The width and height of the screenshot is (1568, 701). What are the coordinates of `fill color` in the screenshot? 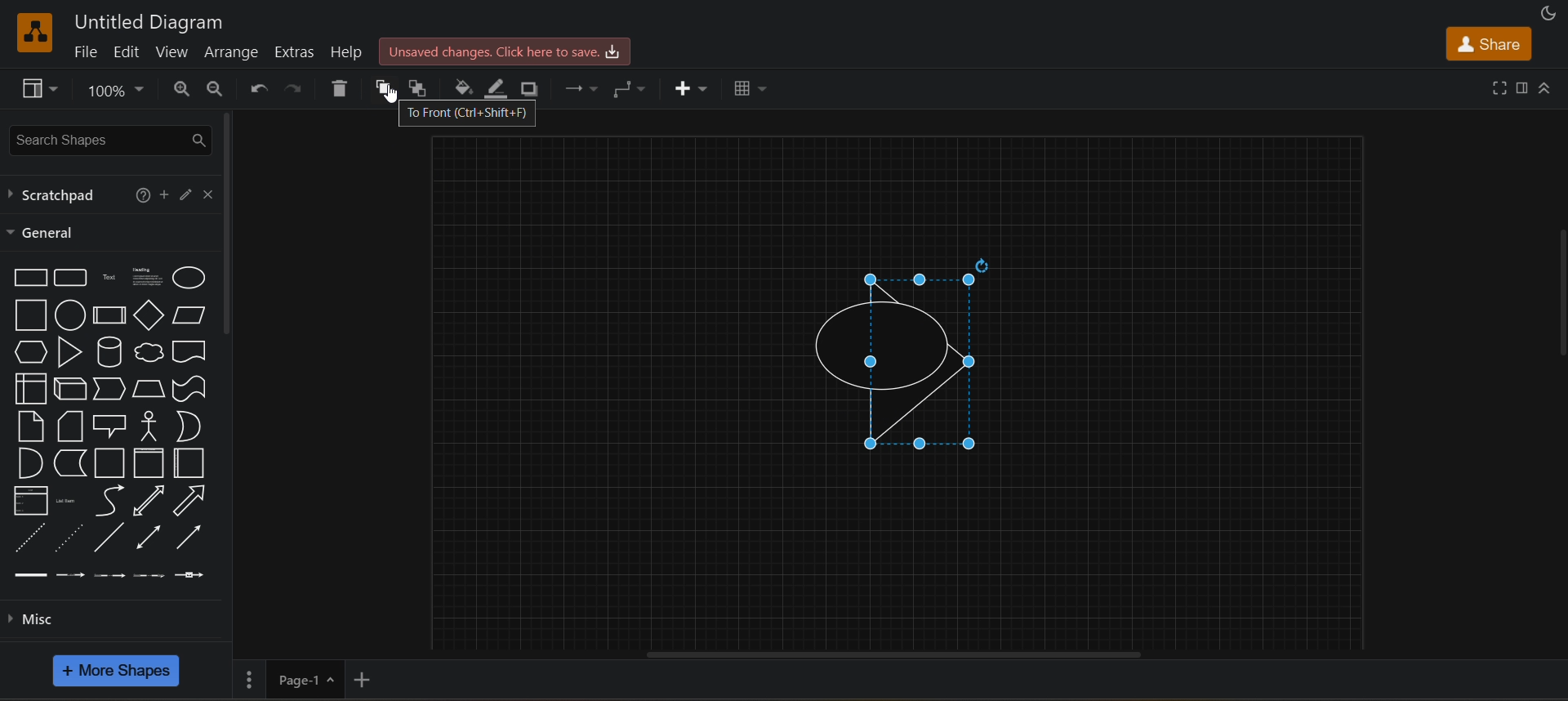 It's located at (461, 88).